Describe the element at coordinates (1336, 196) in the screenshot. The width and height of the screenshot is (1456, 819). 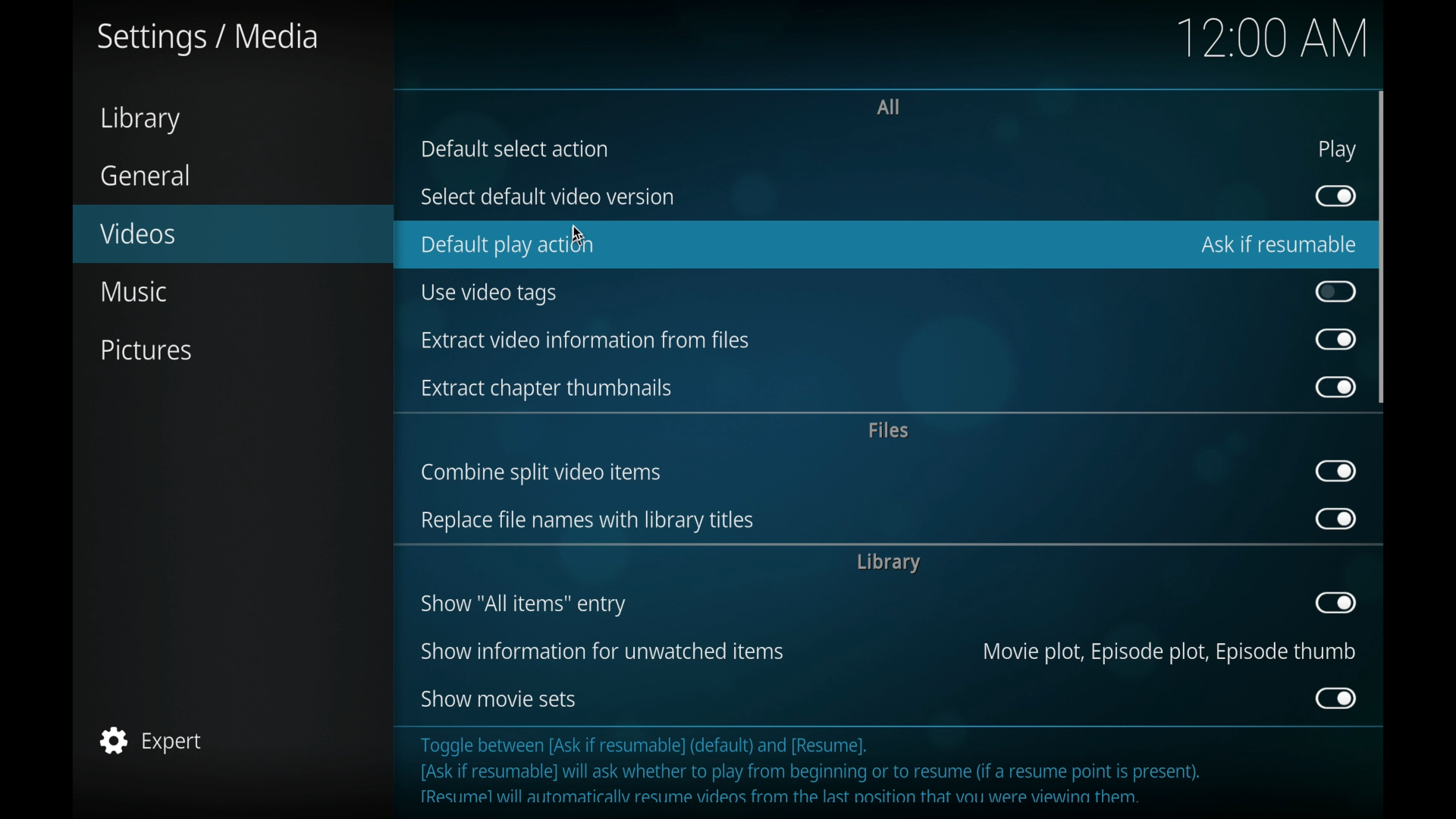
I see `toggle button` at that location.